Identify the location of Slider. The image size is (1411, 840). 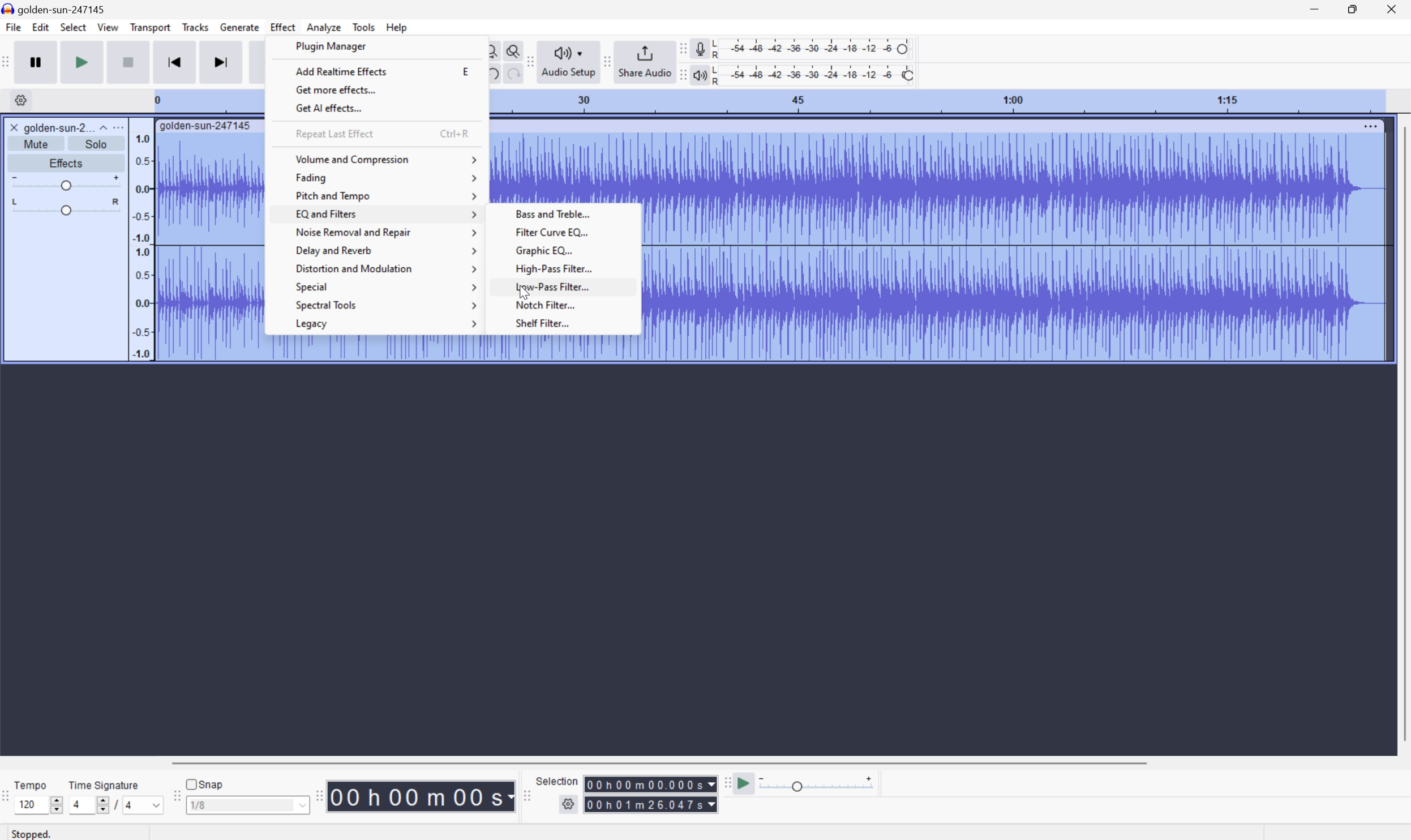
(65, 181).